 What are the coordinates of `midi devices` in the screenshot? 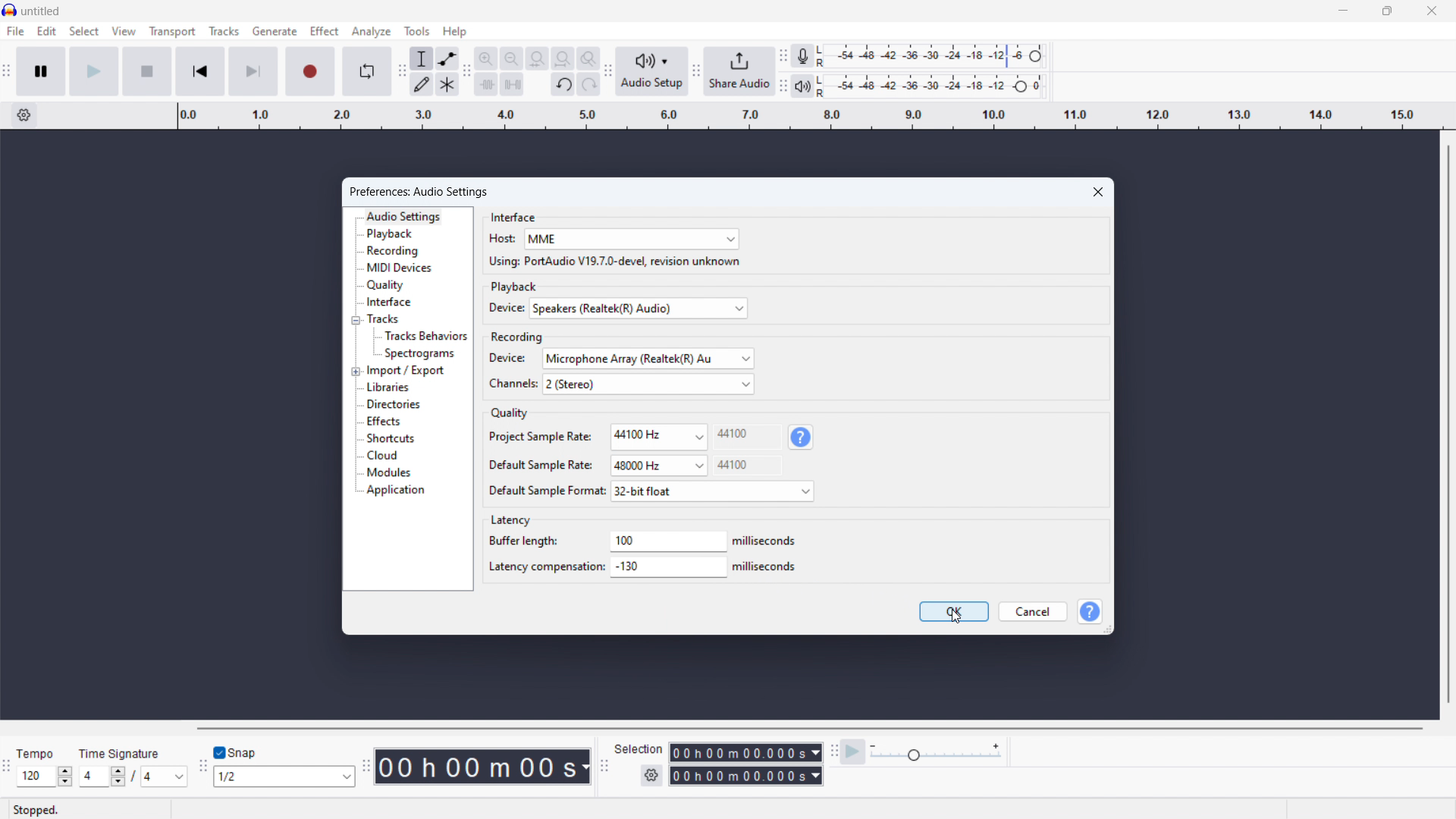 It's located at (400, 268).